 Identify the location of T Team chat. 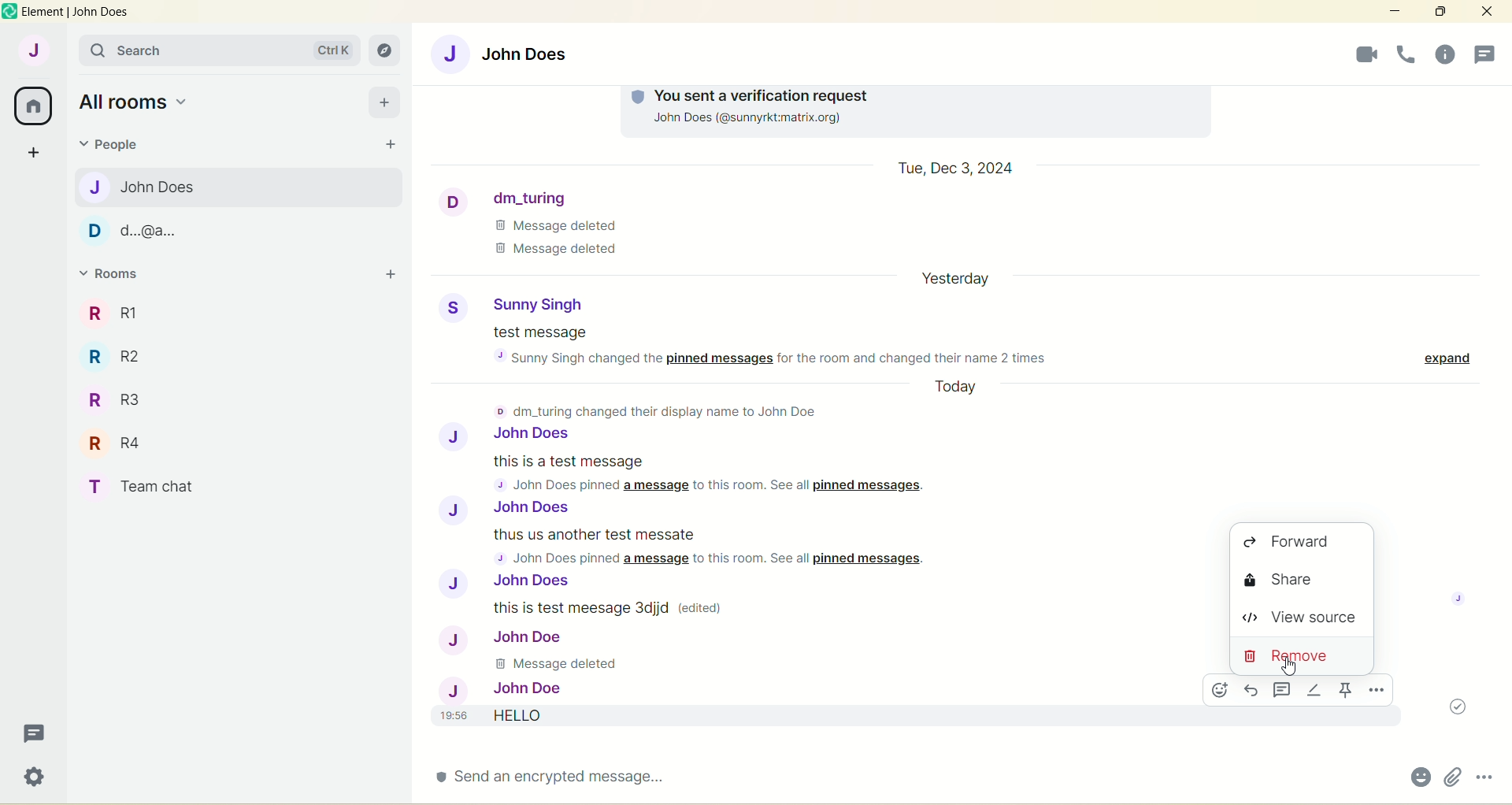
(155, 484).